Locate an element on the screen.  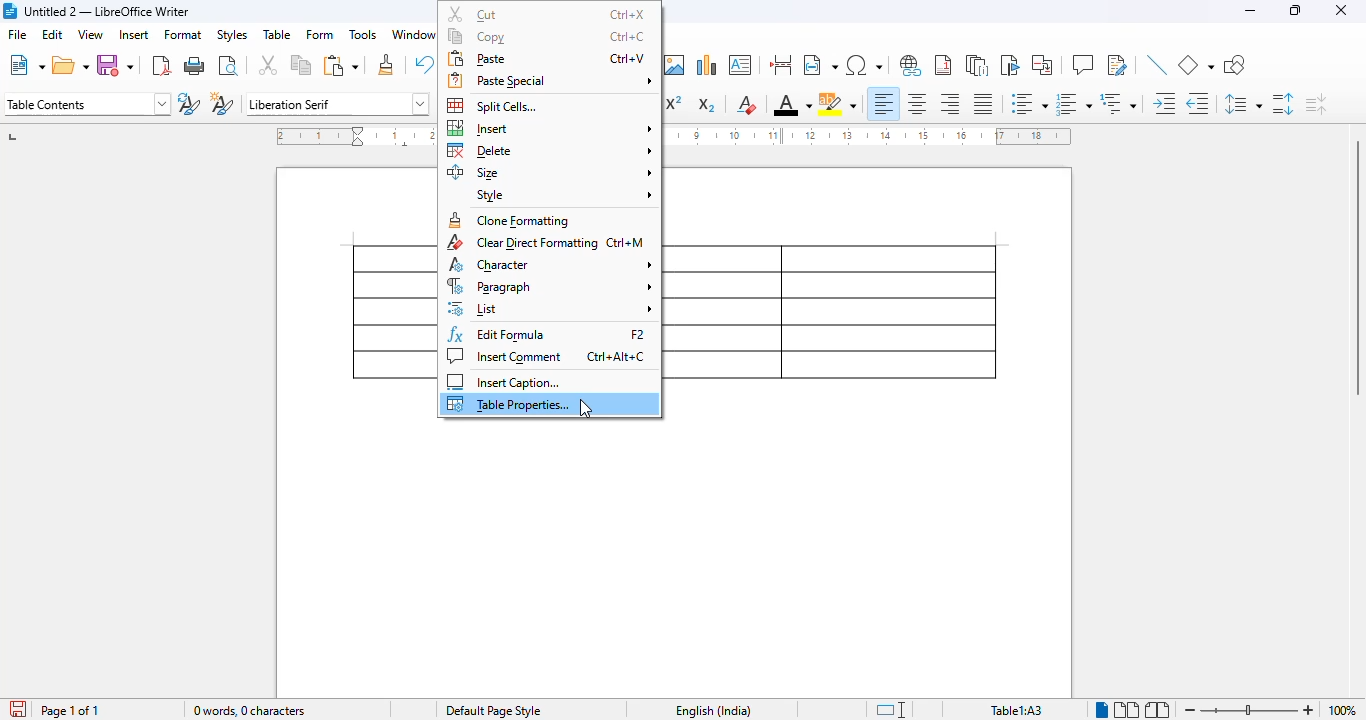
format is located at coordinates (184, 34).